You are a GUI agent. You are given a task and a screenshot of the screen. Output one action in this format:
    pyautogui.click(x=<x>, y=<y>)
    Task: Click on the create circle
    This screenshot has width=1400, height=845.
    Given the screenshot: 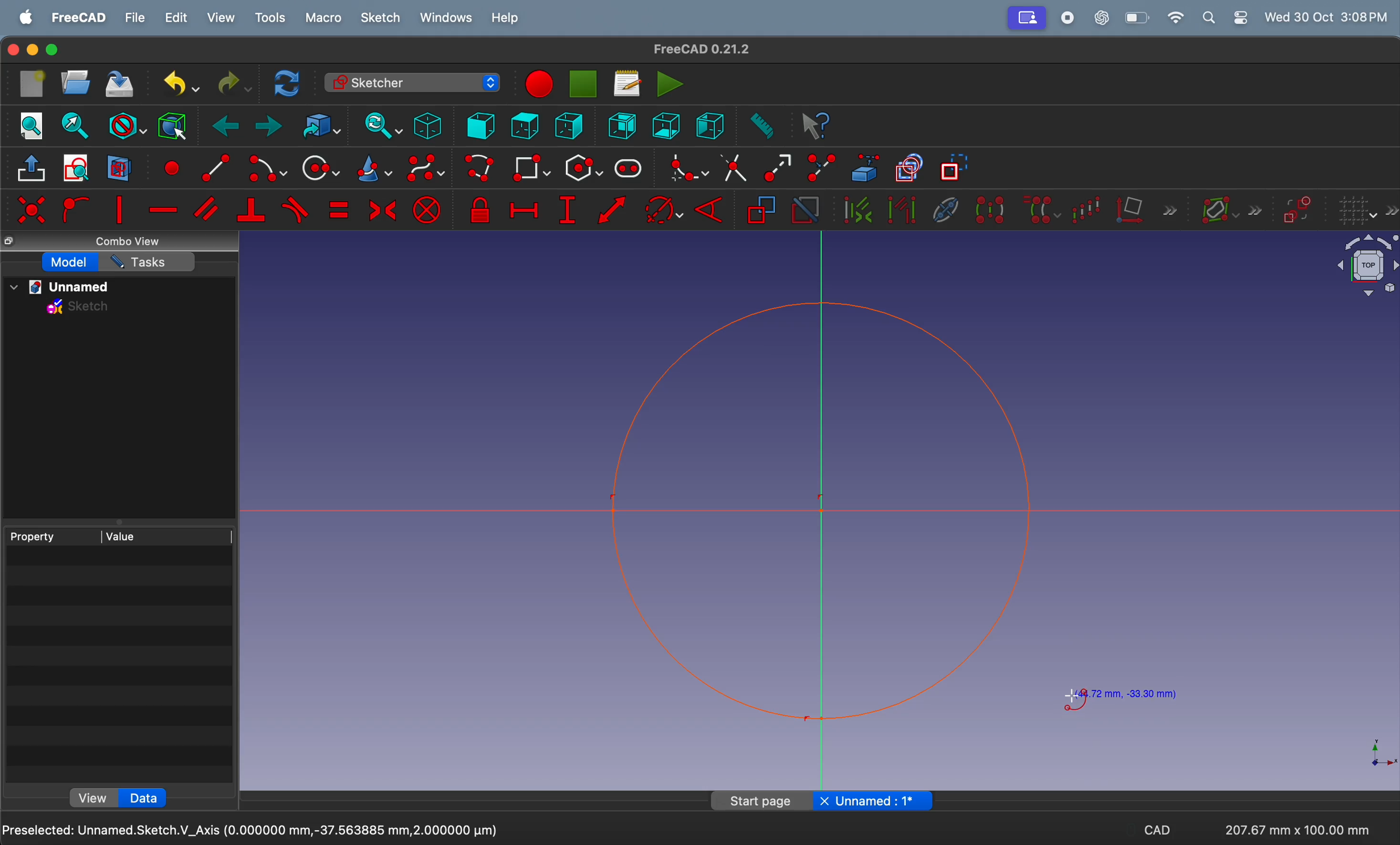 What is the action you would take?
    pyautogui.click(x=320, y=168)
    